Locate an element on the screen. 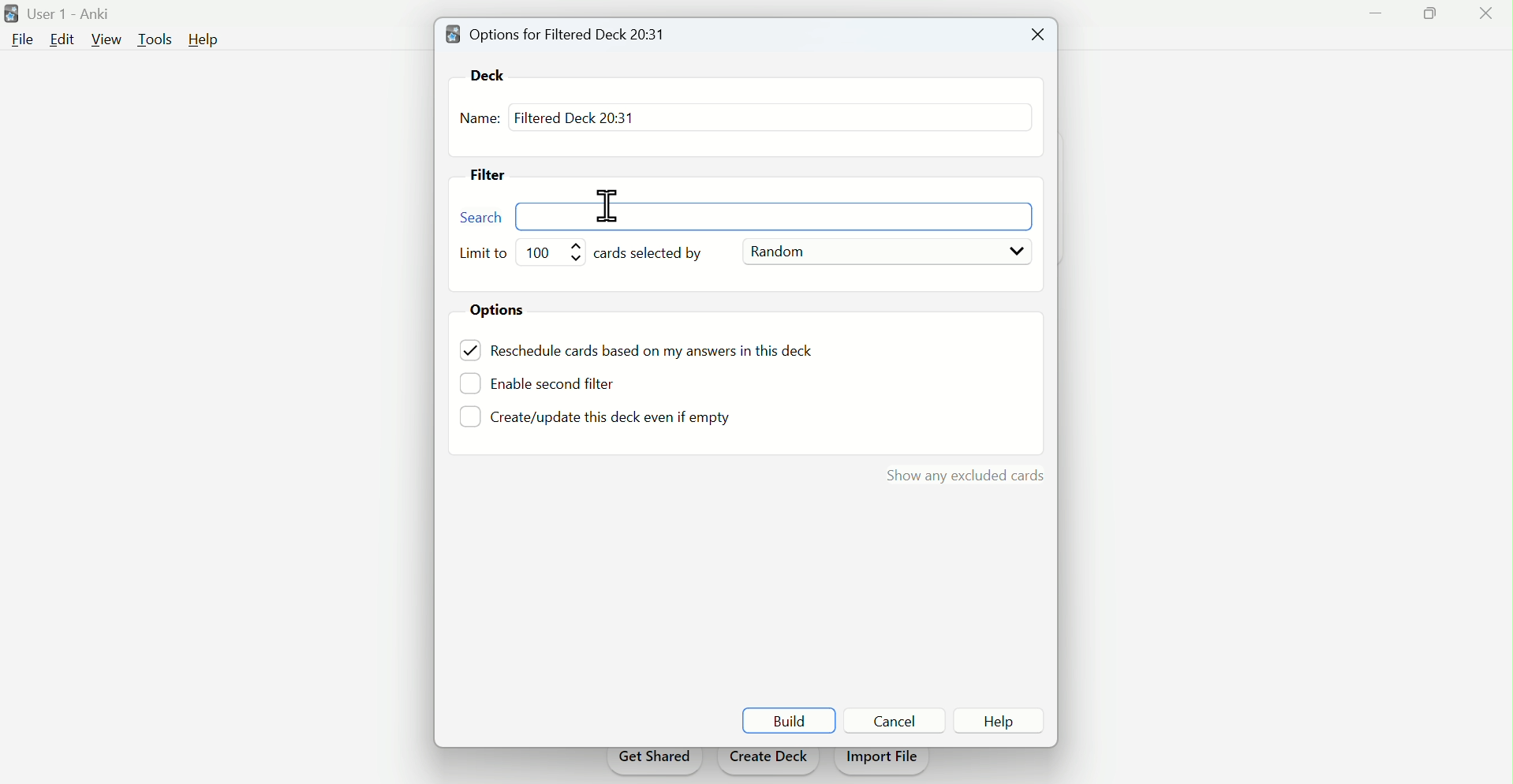 The width and height of the screenshot is (1513, 784). Tools is located at coordinates (158, 38).